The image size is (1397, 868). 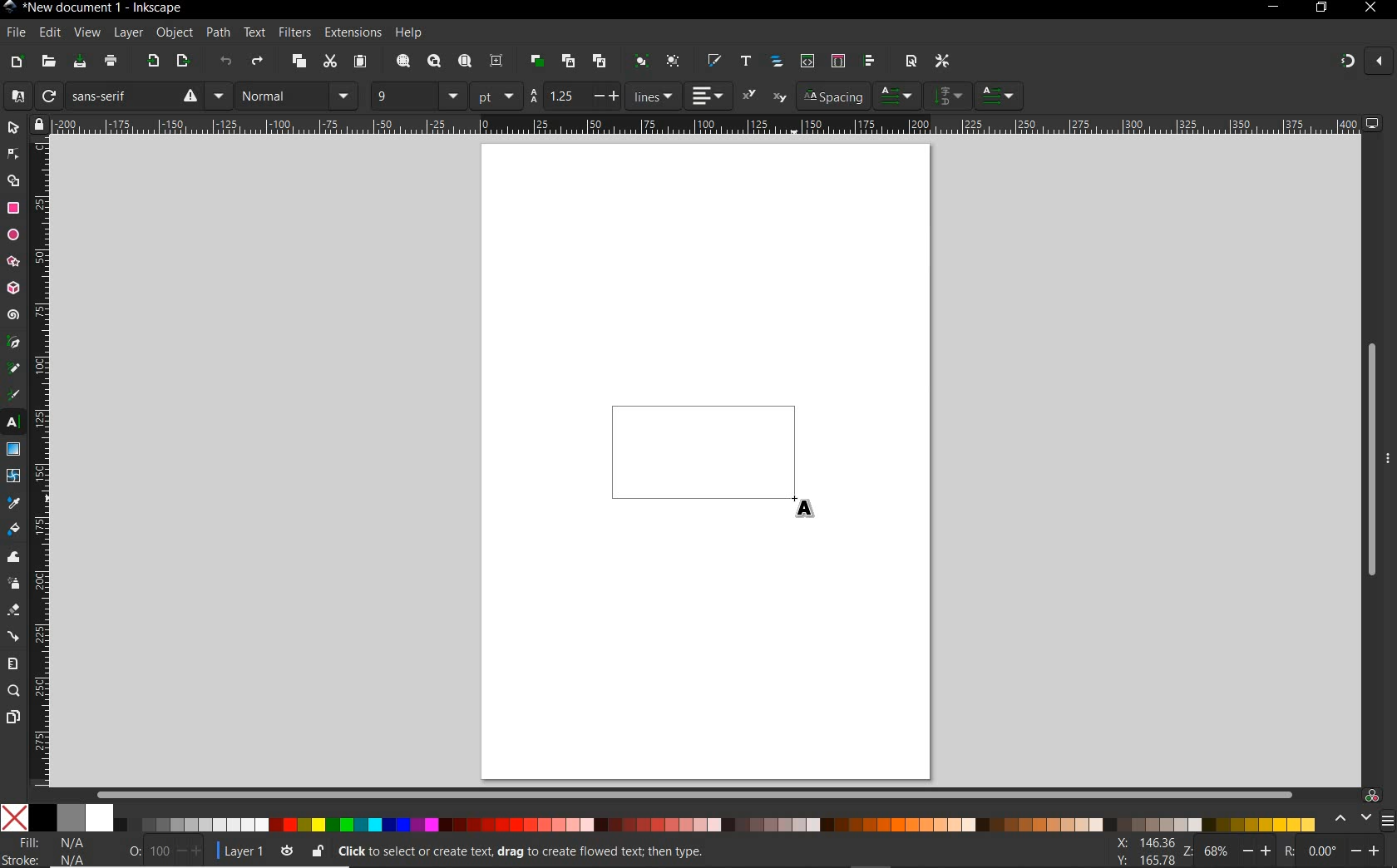 What do you see at coordinates (47, 96) in the screenshot?
I see `refresh` at bounding box center [47, 96].